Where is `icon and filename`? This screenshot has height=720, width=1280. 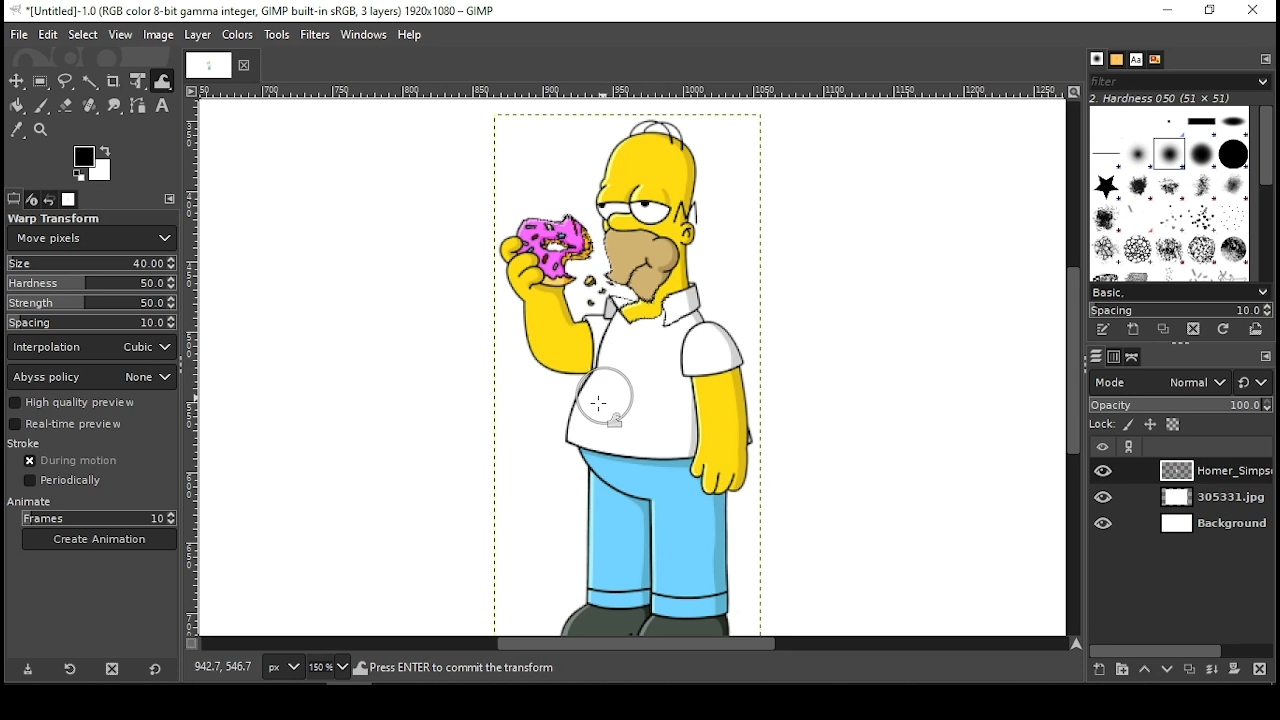
icon and filename is located at coordinates (257, 10).